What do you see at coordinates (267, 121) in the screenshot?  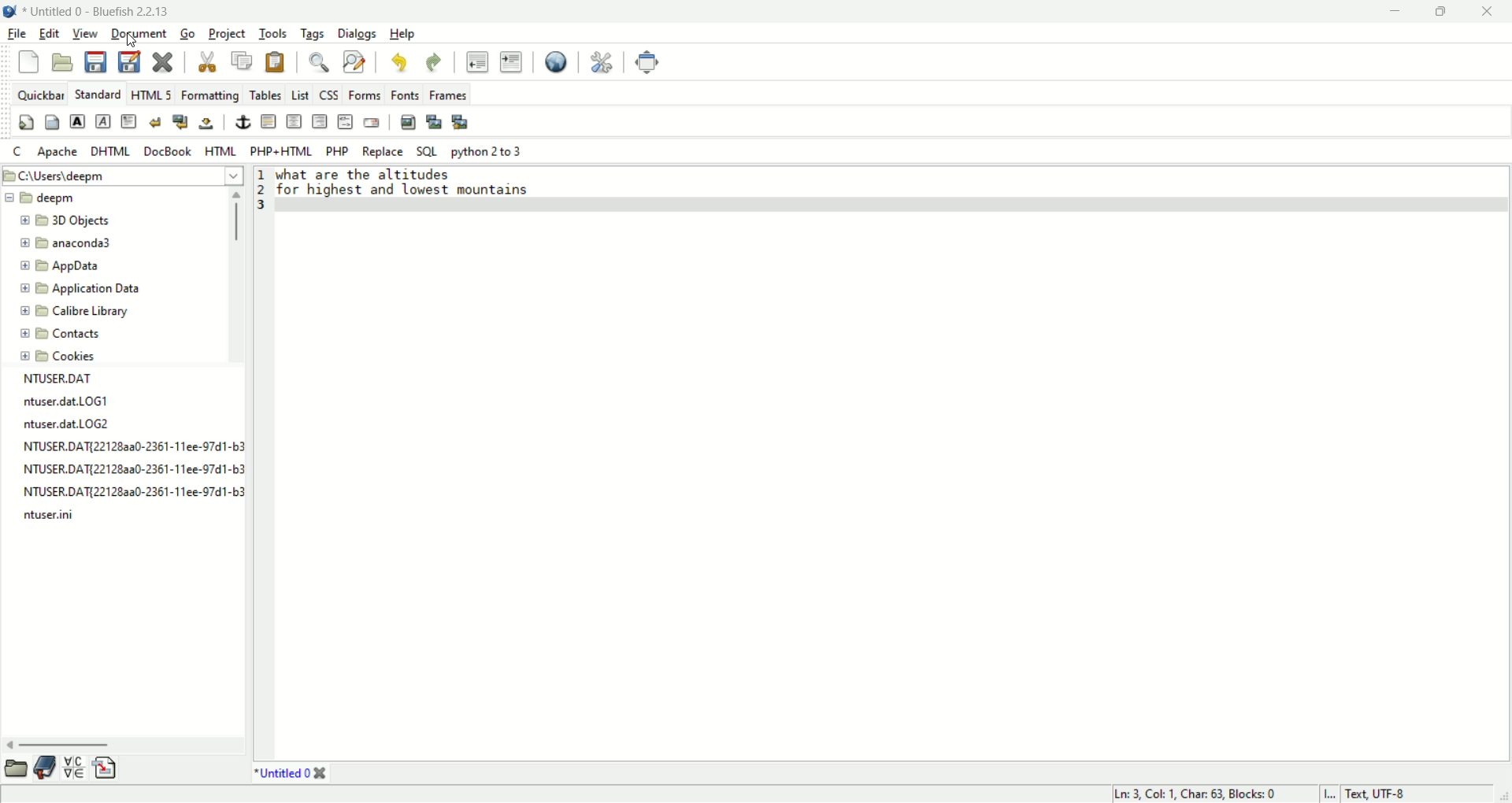 I see `horizontal rule` at bounding box center [267, 121].